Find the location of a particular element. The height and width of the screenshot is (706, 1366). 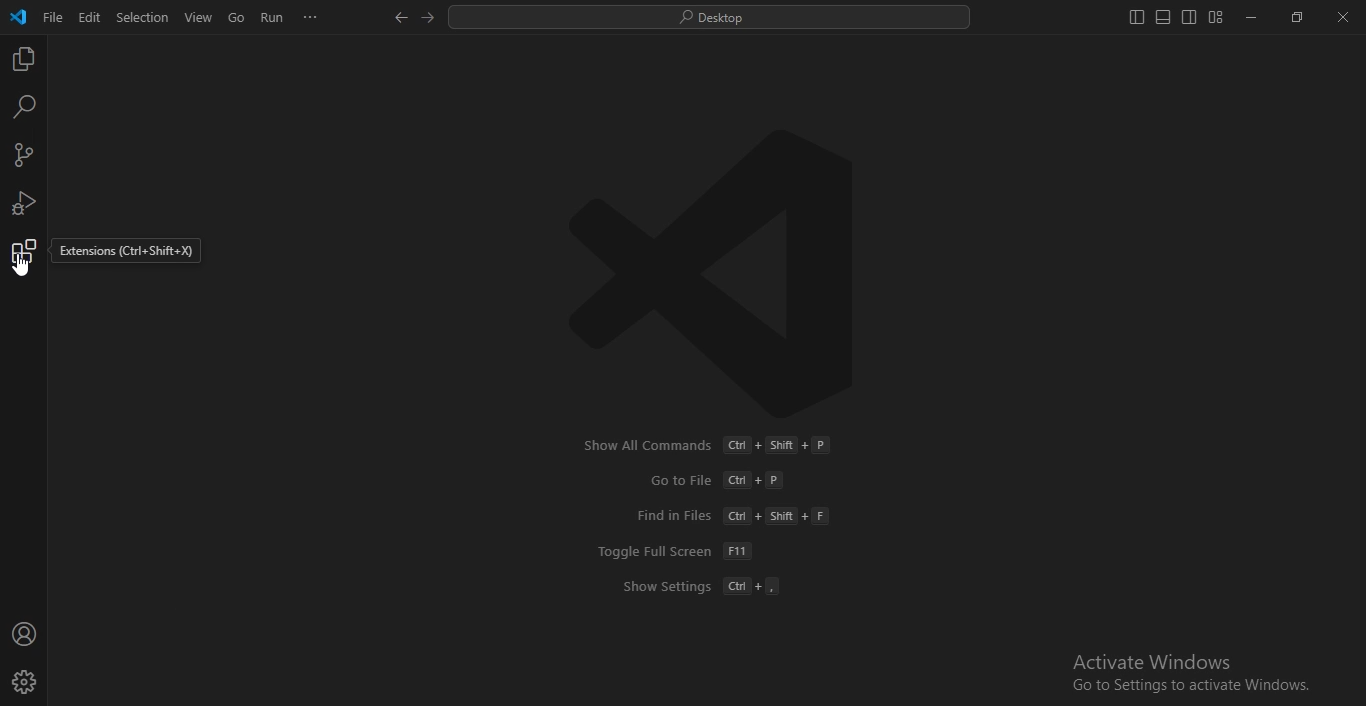

vscode icon is located at coordinates (717, 275).